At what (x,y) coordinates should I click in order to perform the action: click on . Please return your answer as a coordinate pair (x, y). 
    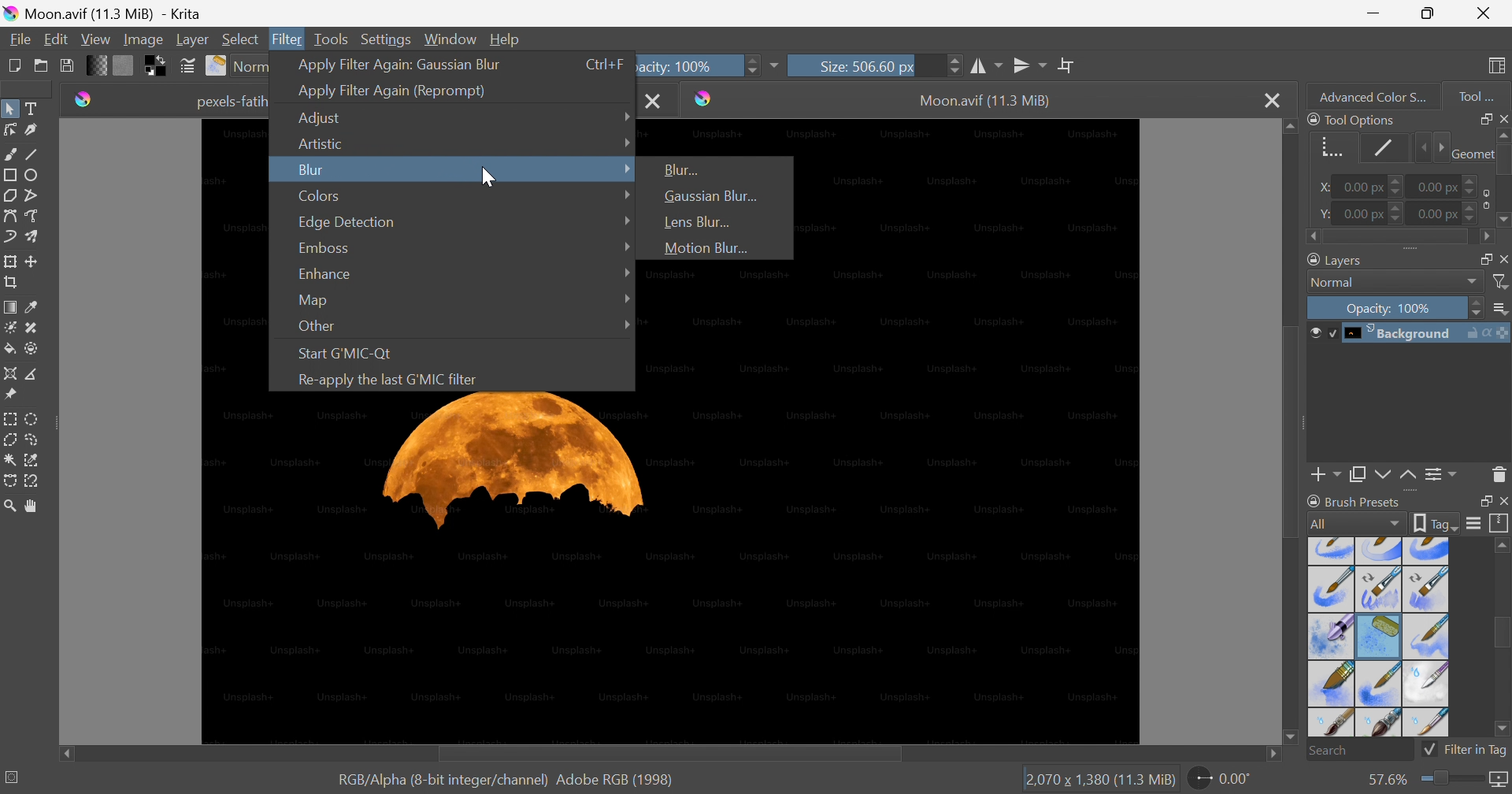
    Looking at the image, I should click on (13, 65).